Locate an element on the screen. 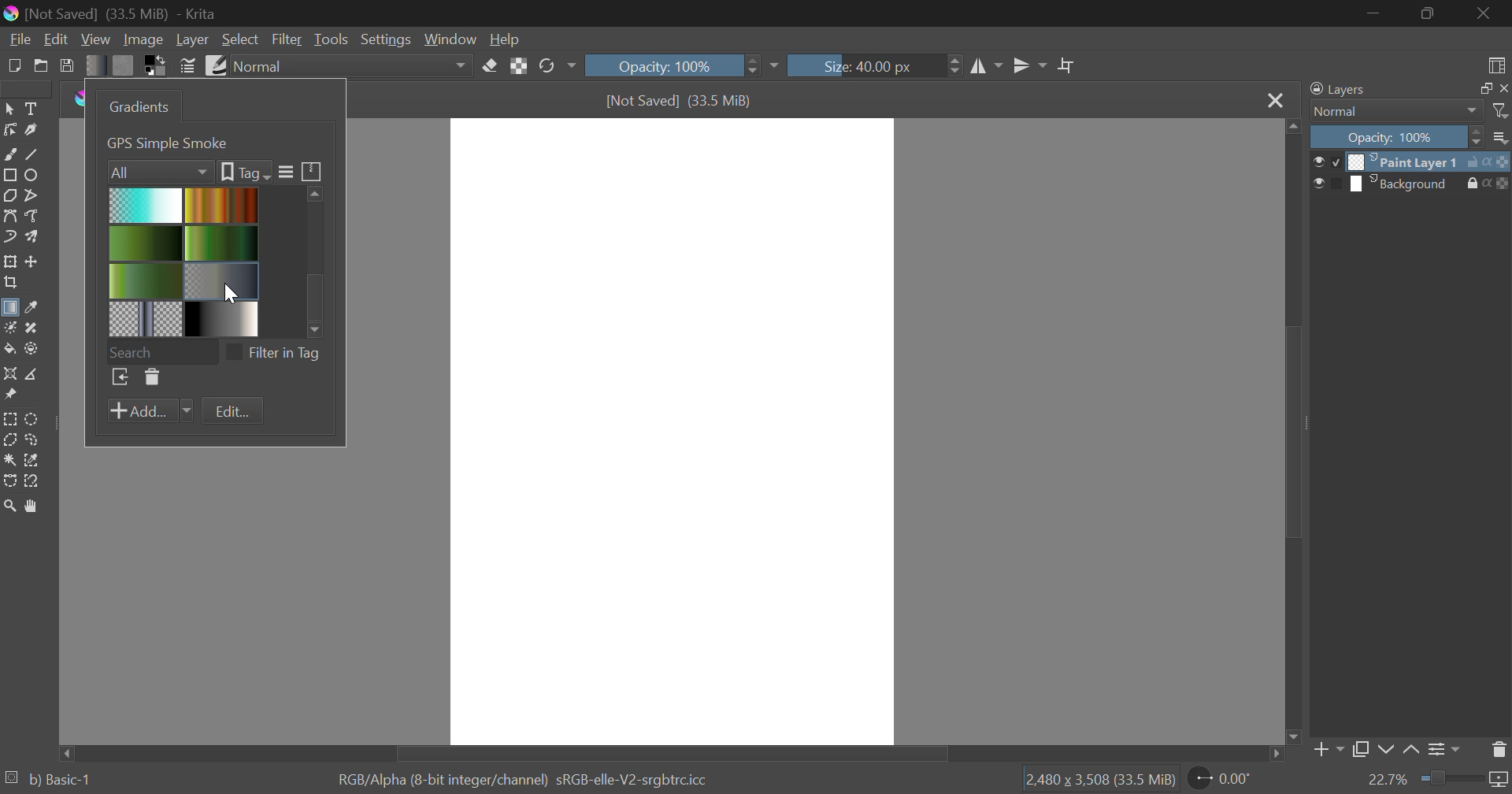  Window is located at coordinates (449, 39).